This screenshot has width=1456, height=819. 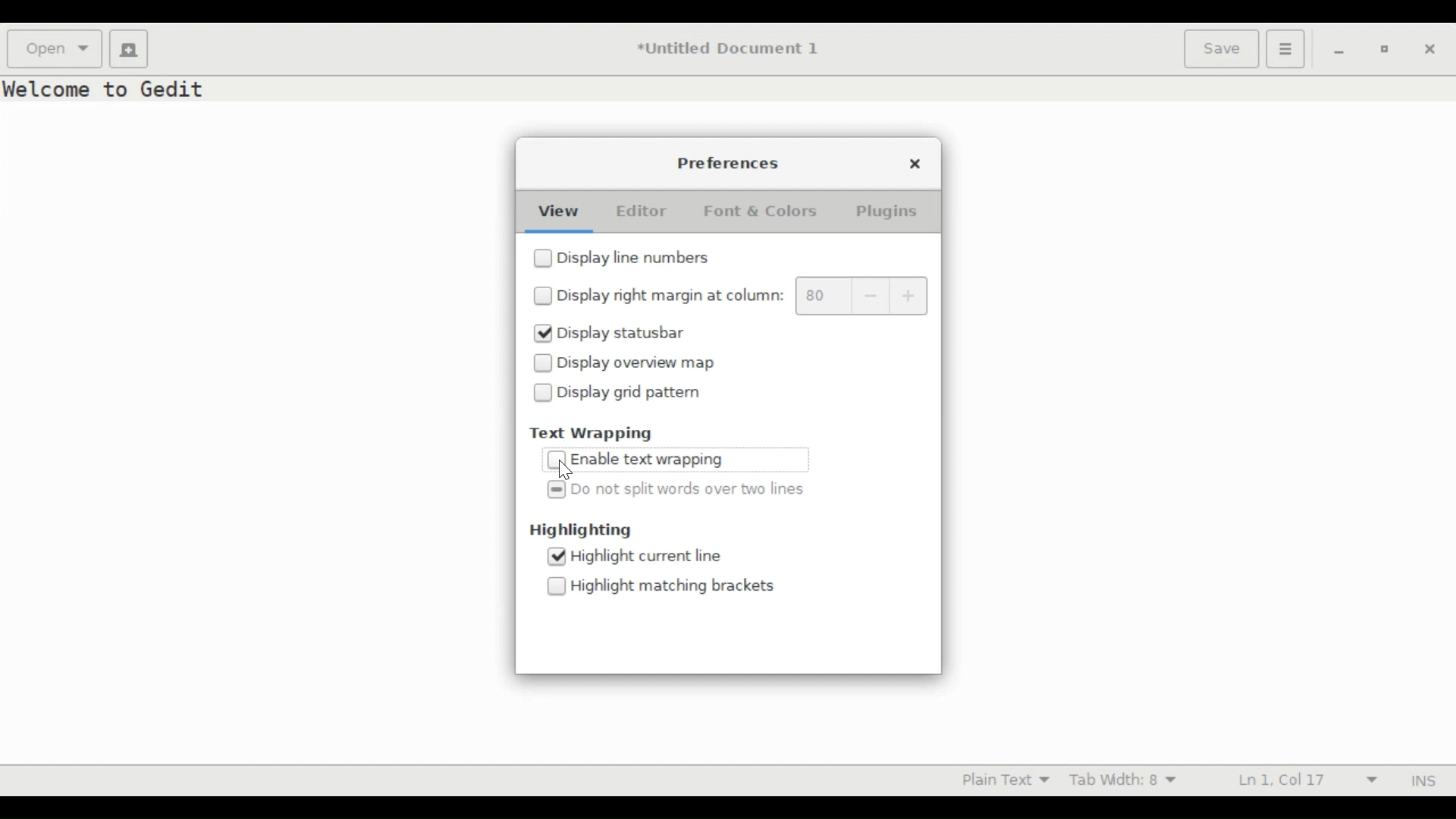 What do you see at coordinates (629, 395) in the screenshot?
I see `Display grid pattern` at bounding box center [629, 395].